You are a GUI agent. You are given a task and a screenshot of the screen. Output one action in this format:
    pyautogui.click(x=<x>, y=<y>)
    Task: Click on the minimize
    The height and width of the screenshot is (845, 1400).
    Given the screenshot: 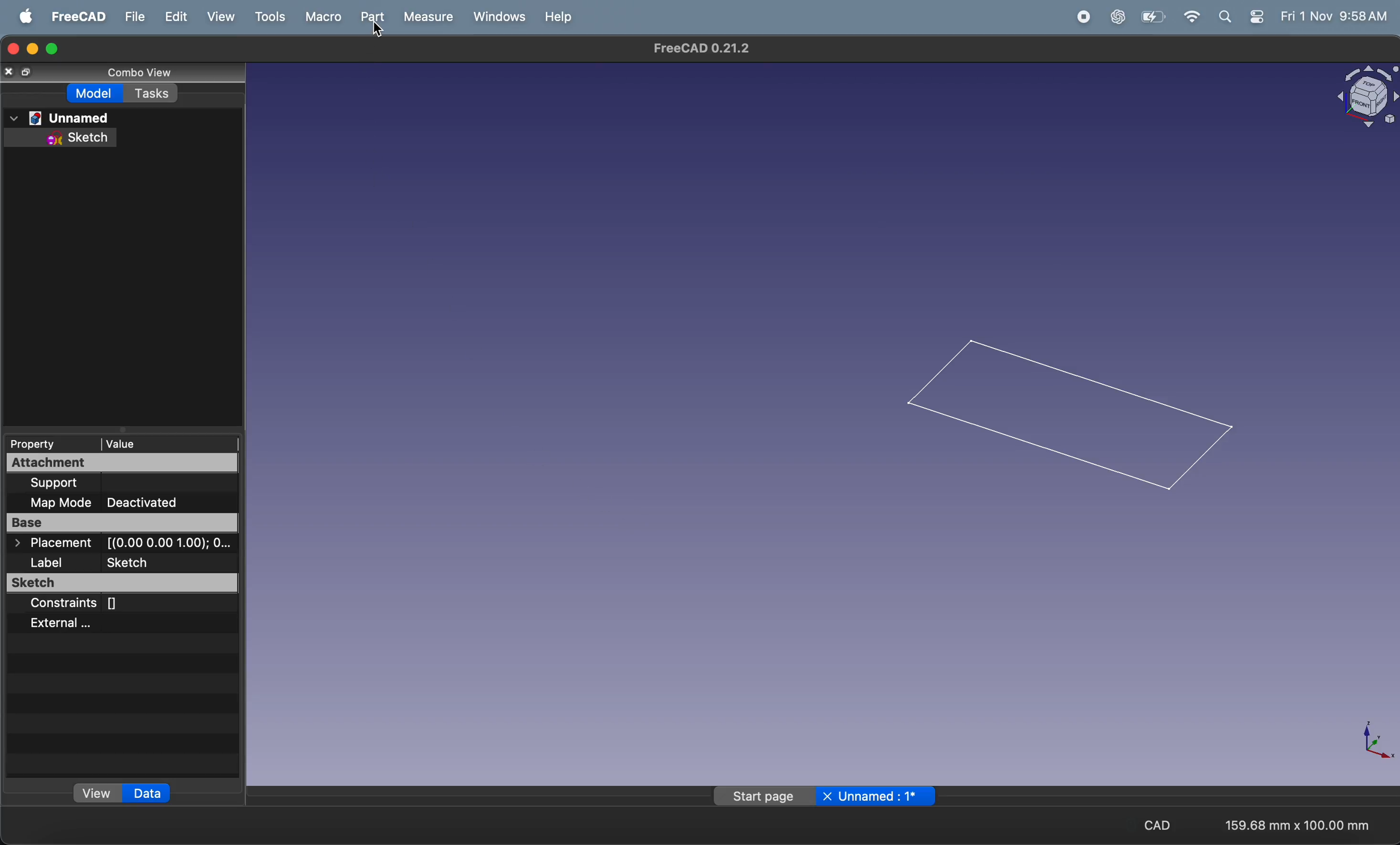 What is the action you would take?
    pyautogui.click(x=31, y=48)
    